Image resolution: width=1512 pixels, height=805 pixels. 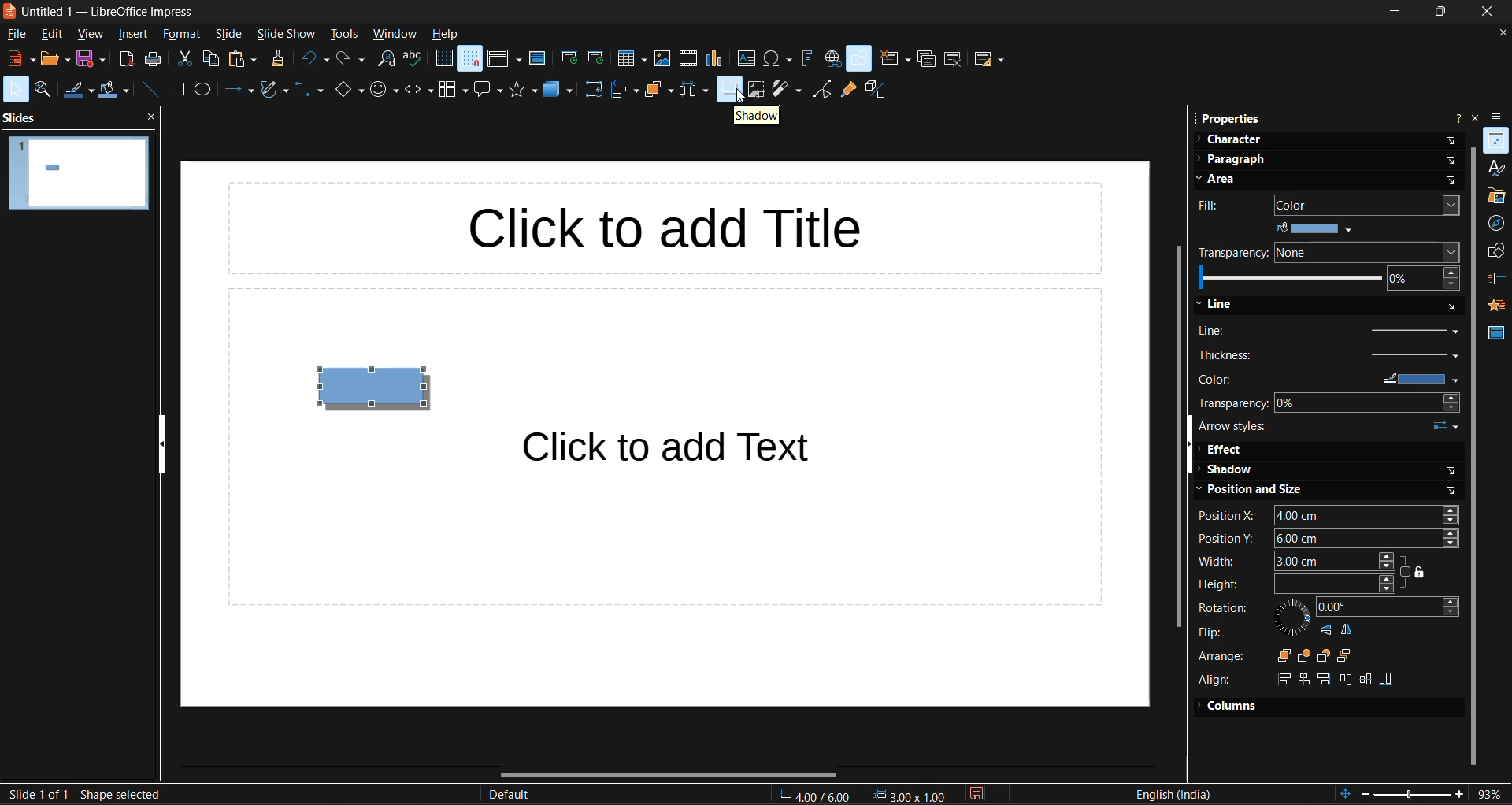 What do you see at coordinates (350, 60) in the screenshot?
I see `redo` at bounding box center [350, 60].